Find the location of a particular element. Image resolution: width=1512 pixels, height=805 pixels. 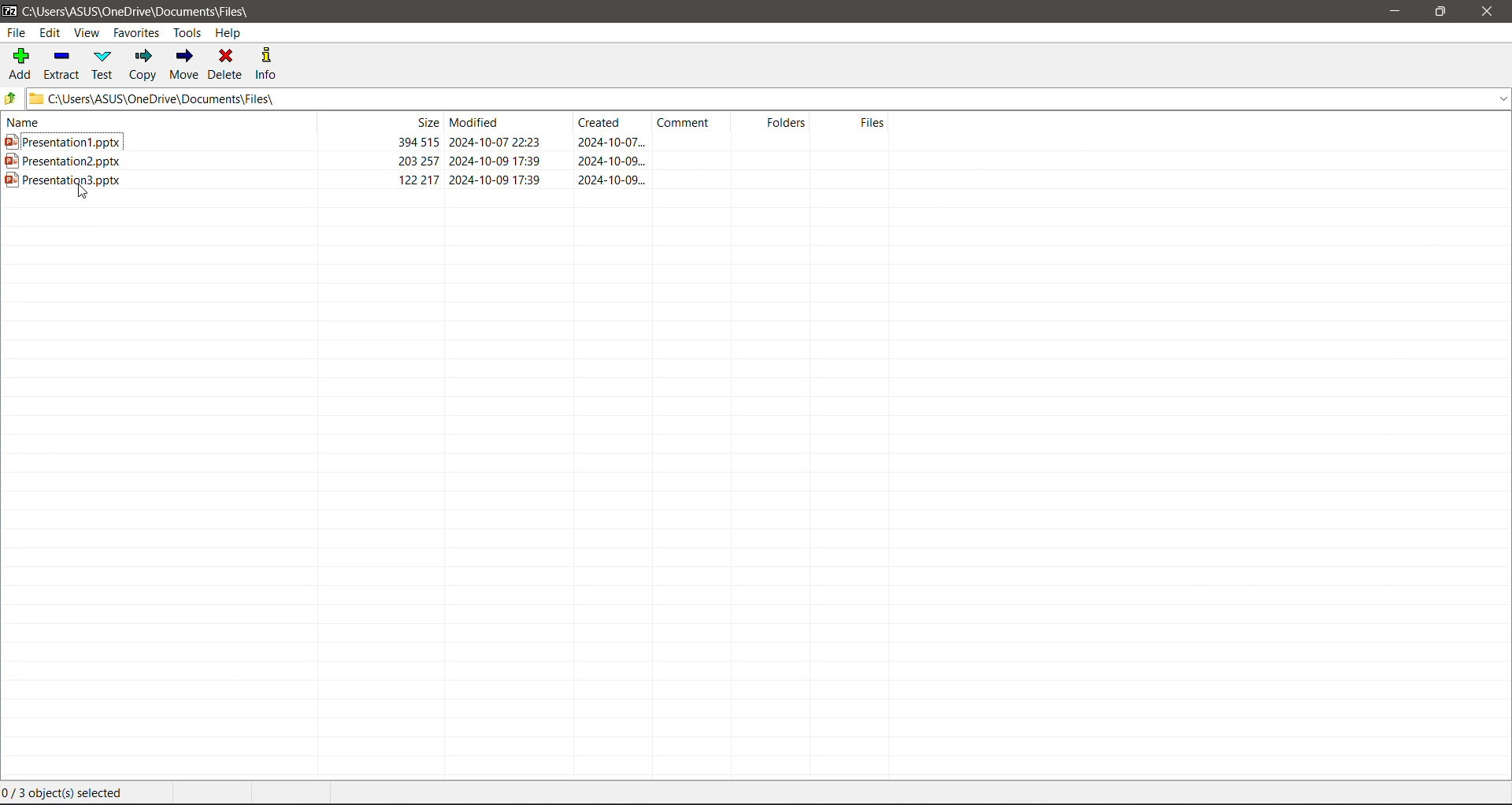

Name is located at coordinates (150, 122).